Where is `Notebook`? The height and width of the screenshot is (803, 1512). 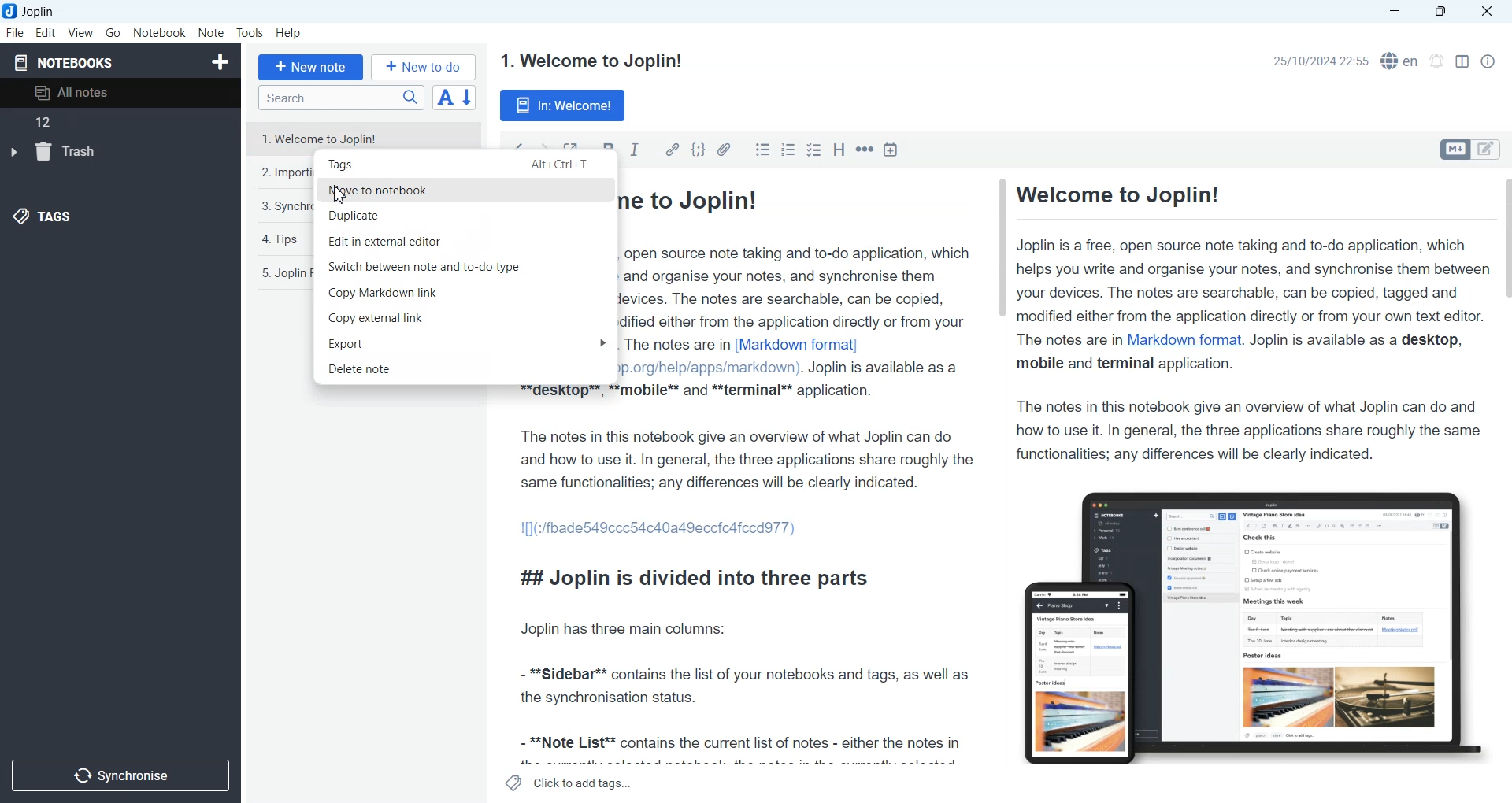
Notebook is located at coordinates (160, 33).